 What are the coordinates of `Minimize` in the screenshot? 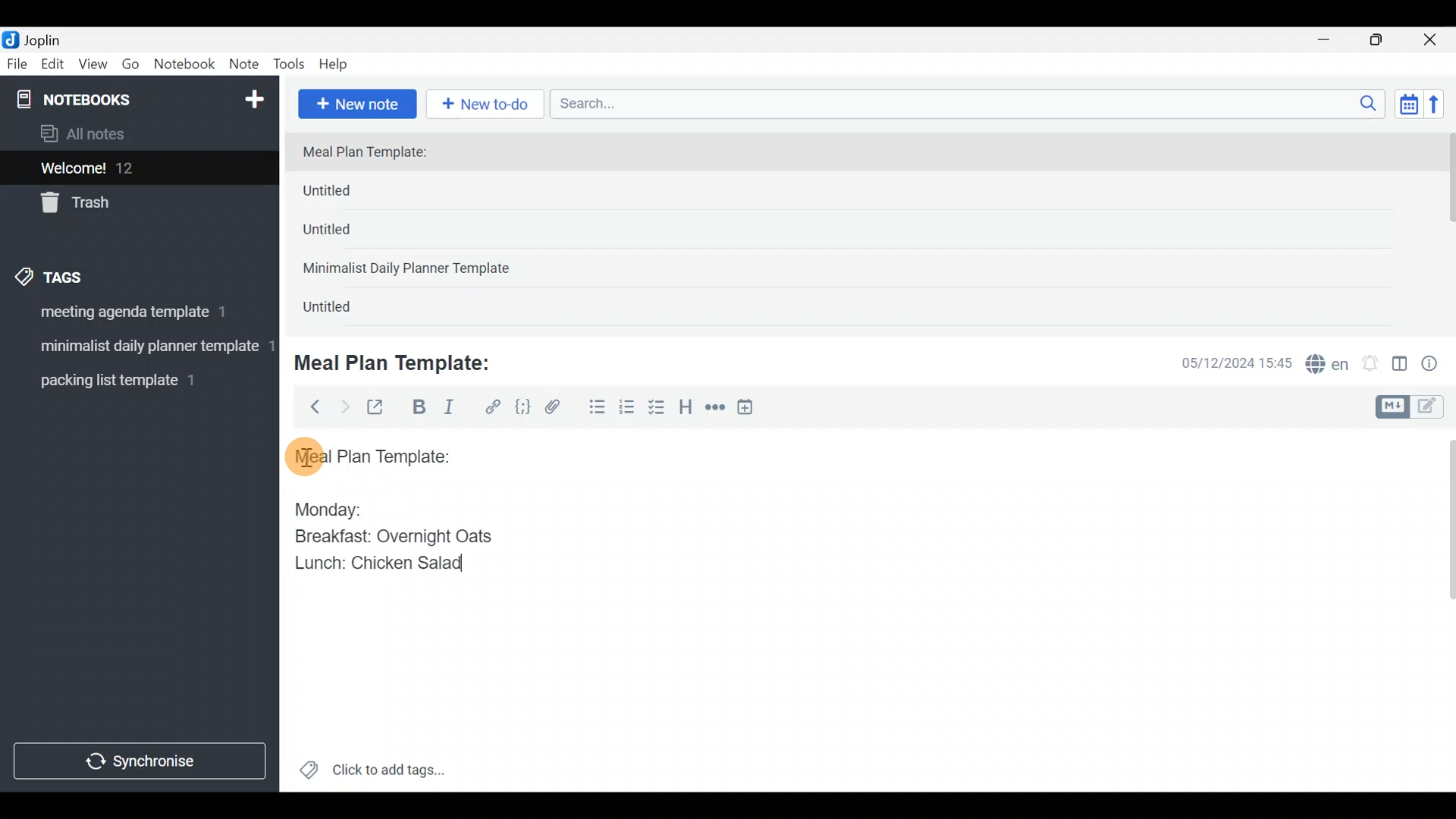 It's located at (1332, 38).